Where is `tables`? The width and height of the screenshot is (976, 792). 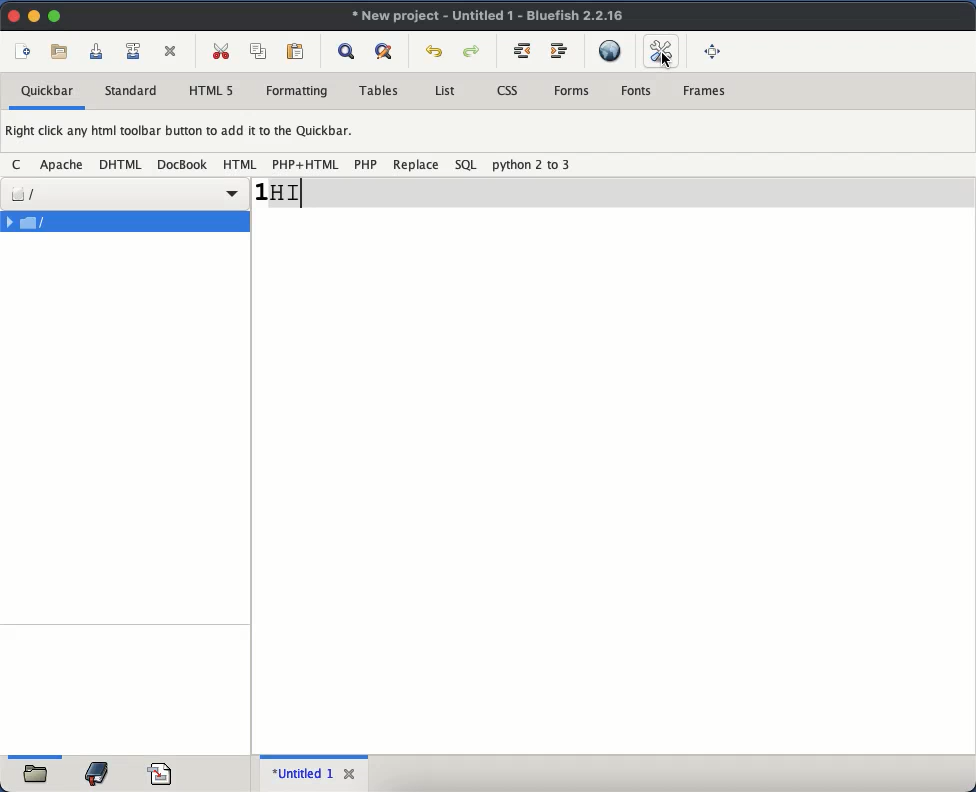 tables is located at coordinates (380, 89).